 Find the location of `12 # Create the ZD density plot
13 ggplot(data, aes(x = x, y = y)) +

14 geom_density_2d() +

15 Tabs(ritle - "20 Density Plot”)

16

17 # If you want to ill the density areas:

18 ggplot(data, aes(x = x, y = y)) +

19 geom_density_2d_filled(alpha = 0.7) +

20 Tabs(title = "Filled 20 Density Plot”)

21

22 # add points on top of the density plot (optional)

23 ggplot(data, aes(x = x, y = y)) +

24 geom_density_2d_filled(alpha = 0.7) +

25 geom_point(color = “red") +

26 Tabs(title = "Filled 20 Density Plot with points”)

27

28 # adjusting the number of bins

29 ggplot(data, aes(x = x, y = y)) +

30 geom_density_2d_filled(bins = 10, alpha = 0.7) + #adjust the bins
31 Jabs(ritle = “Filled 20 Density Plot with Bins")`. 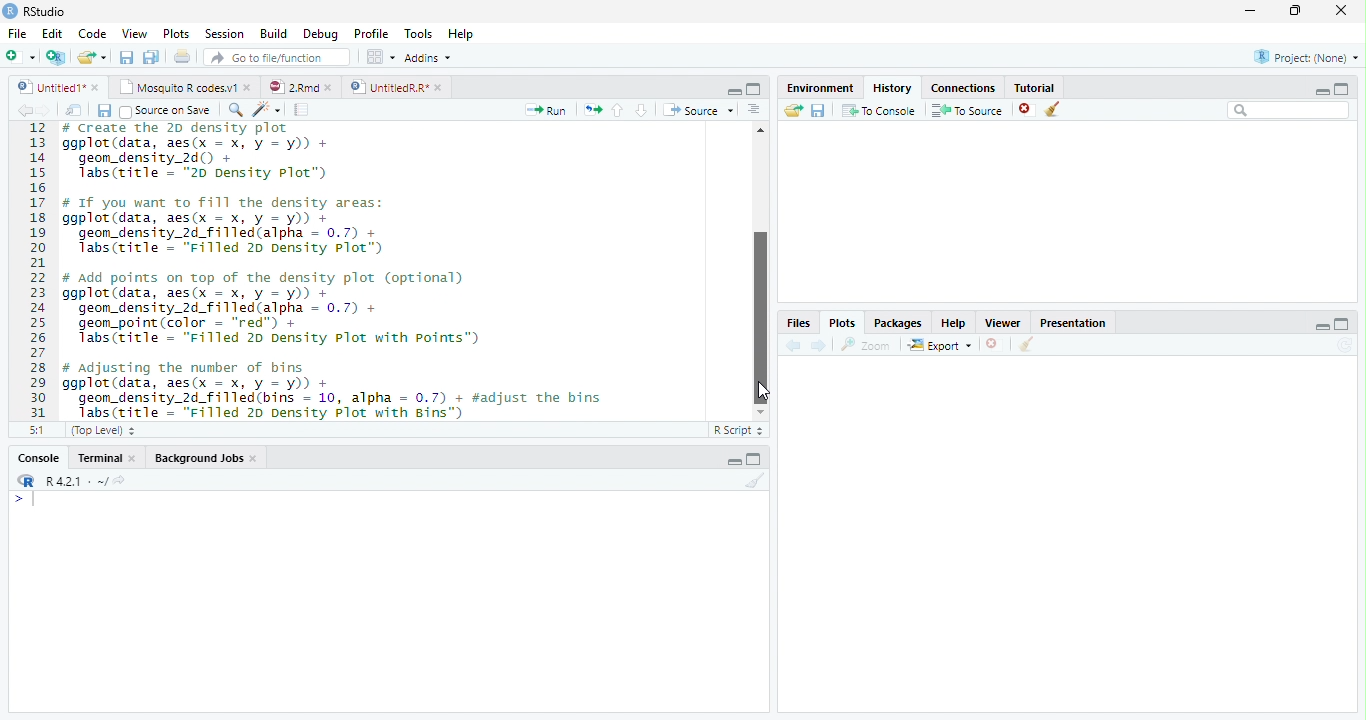

12 # Create the ZD density plot
13 ggplot(data, aes(x = x, y = y)) +

14 geom_density_2d() +

15 Tabs(ritle - "20 Density Plot”)

16

17 # If you want to ill the density areas:

18 ggplot(data, aes(x = x, y = y)) +

19 geom_density_2d_filled(alpha = 0.7) +

20 Tabs(title = "Filled 20 Density Plot”)

21

22 # add points on top of the density plot (optional)

23 ggplot(data, aes(x = x, y = y)) +

24 geom_density_2d_filled(alpha = 0.7) +

25 geom_point(color = “red") +

26 Tabs(title = "Filled 20 Density Plot with points”)

27

28 # adjusting the number of bins

29 ggplot(data, aes(x = x, y = y)) +

30 geom_density_2d_filled(bins = 10, alpha = 0.7) + #adjust the bins
31 Jabs(ritle = “Filled 20 Density Plot with Bins") is located at coordinates (356, 272).